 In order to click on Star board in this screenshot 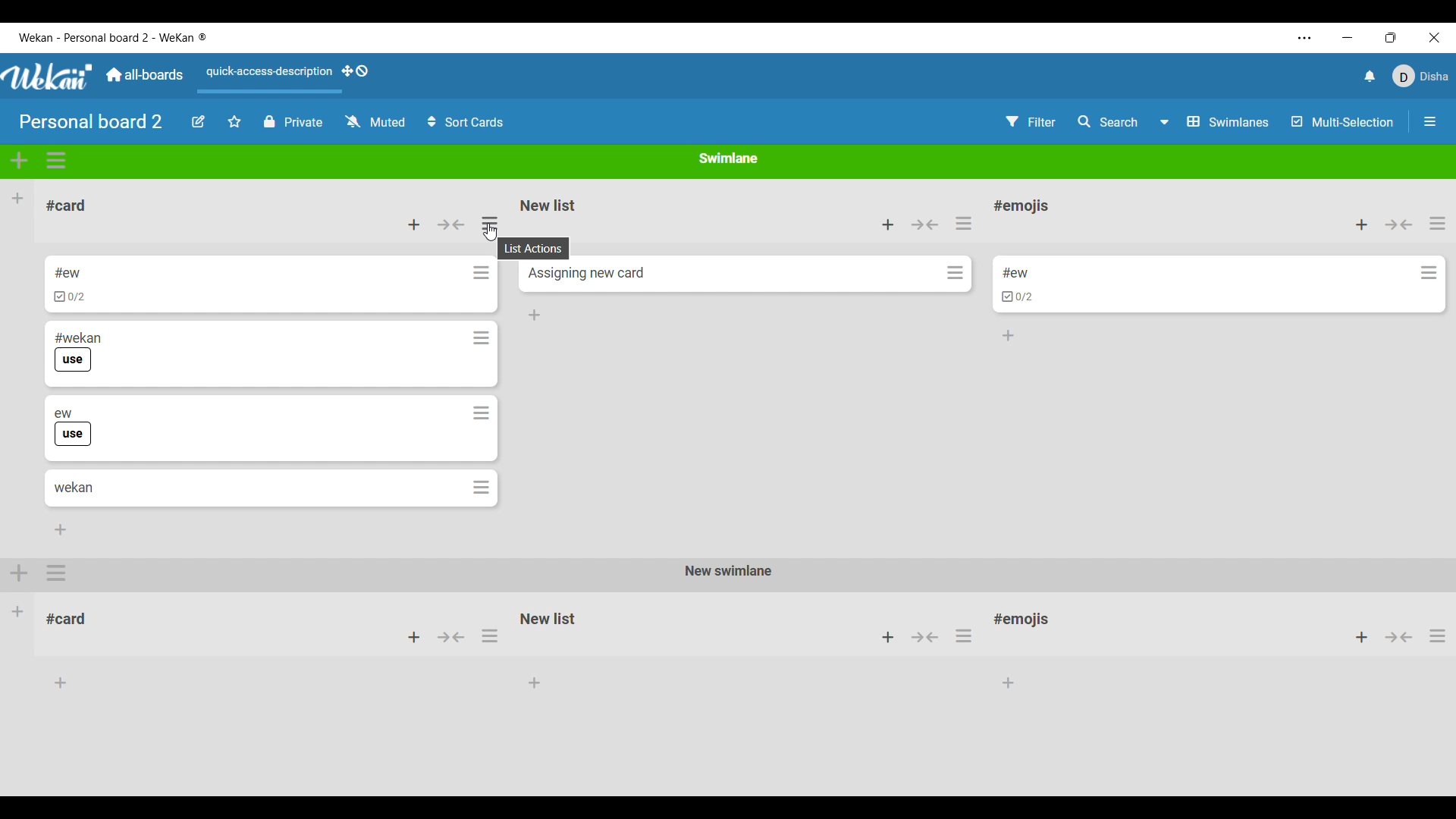, I will do `click(235, 121)`.